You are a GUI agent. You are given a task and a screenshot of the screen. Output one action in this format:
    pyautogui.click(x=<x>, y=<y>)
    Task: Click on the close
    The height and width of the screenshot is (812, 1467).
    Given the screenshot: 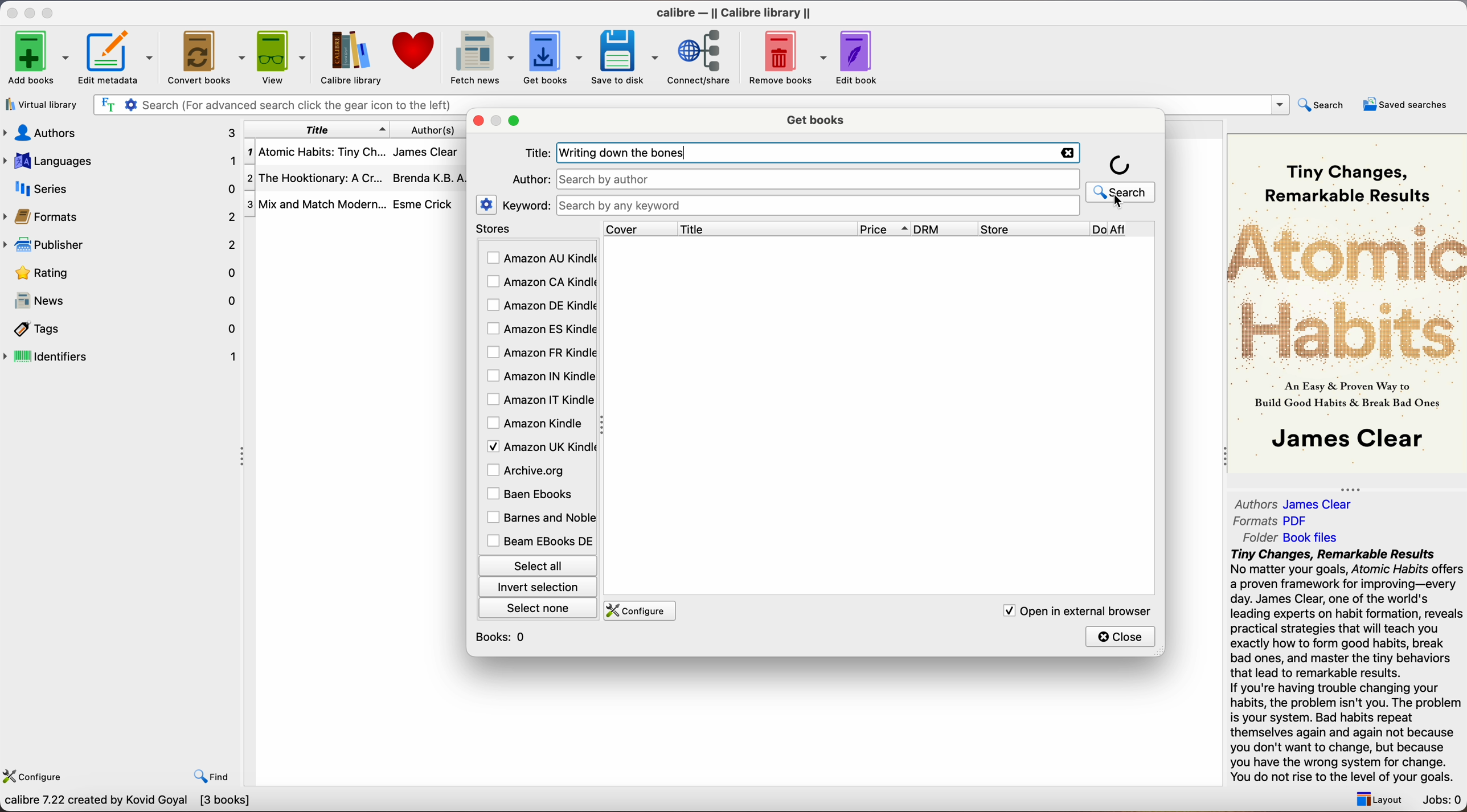 What is the action you would take?
    pyautogui.click(x=11, y=13)
    